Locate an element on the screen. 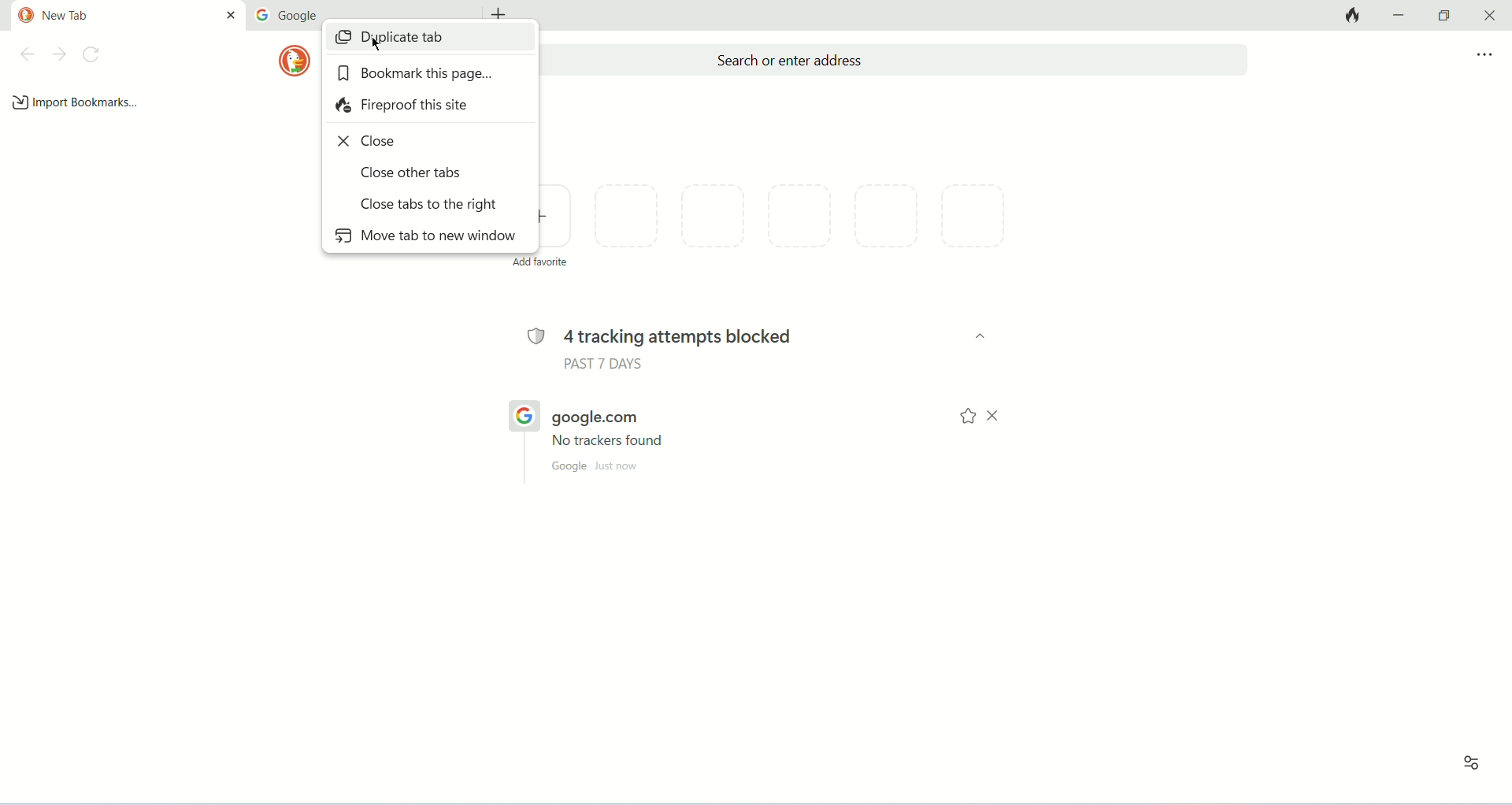 The width and height of the screenshot is (1512, 805). mouse cursor is located at coordinates (381, 46).